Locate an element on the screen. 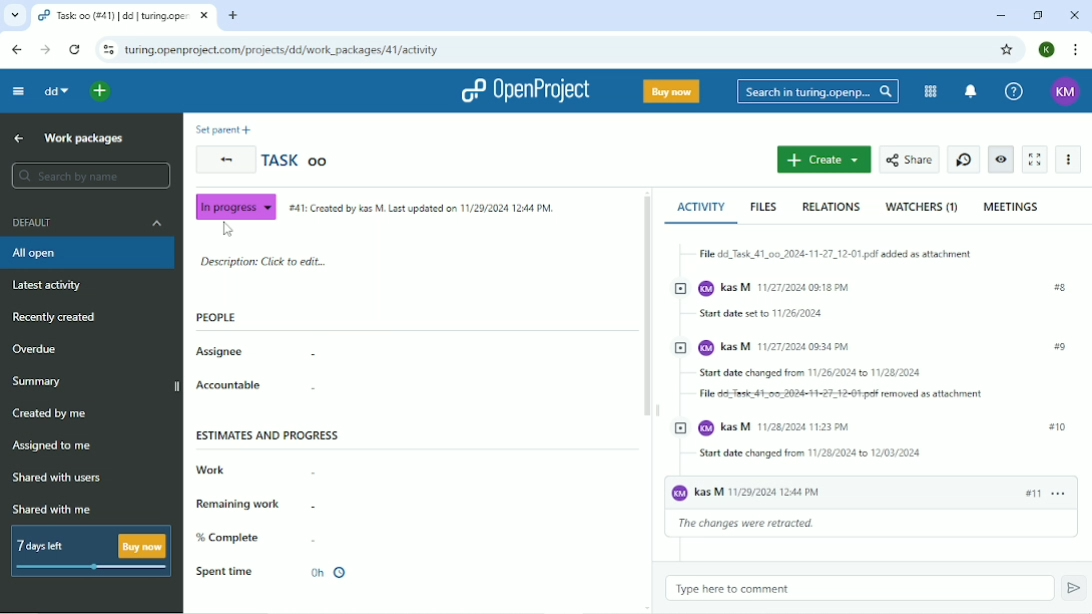 This screenshot has height=614, width=1092. Task oo is located at coordinates (299, 161).